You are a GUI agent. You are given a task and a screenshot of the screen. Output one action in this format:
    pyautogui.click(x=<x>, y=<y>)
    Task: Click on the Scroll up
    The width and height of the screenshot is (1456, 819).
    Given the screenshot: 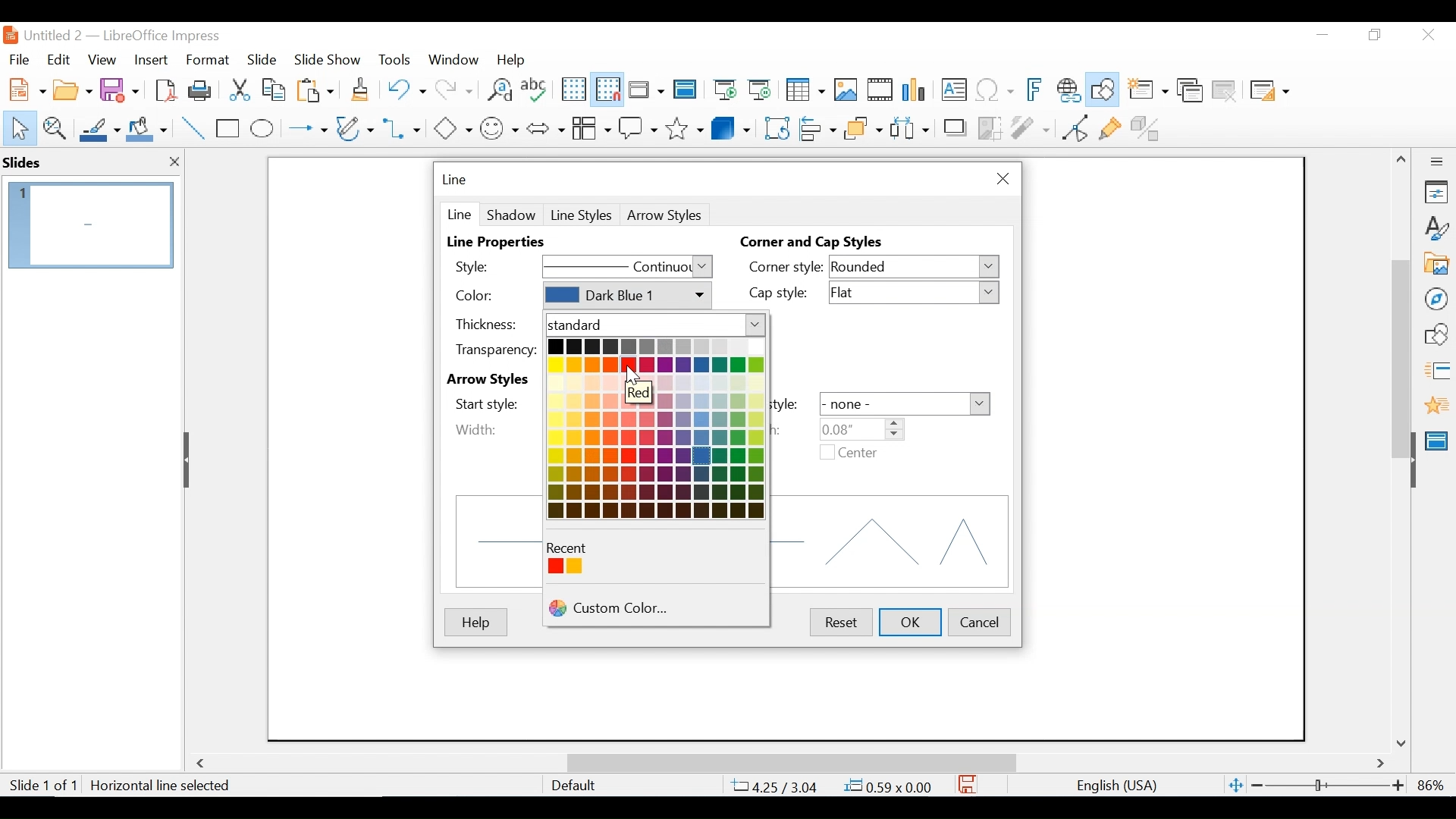 What is the action you would take?
    pyautogui.click(x=1402, y=159)
    